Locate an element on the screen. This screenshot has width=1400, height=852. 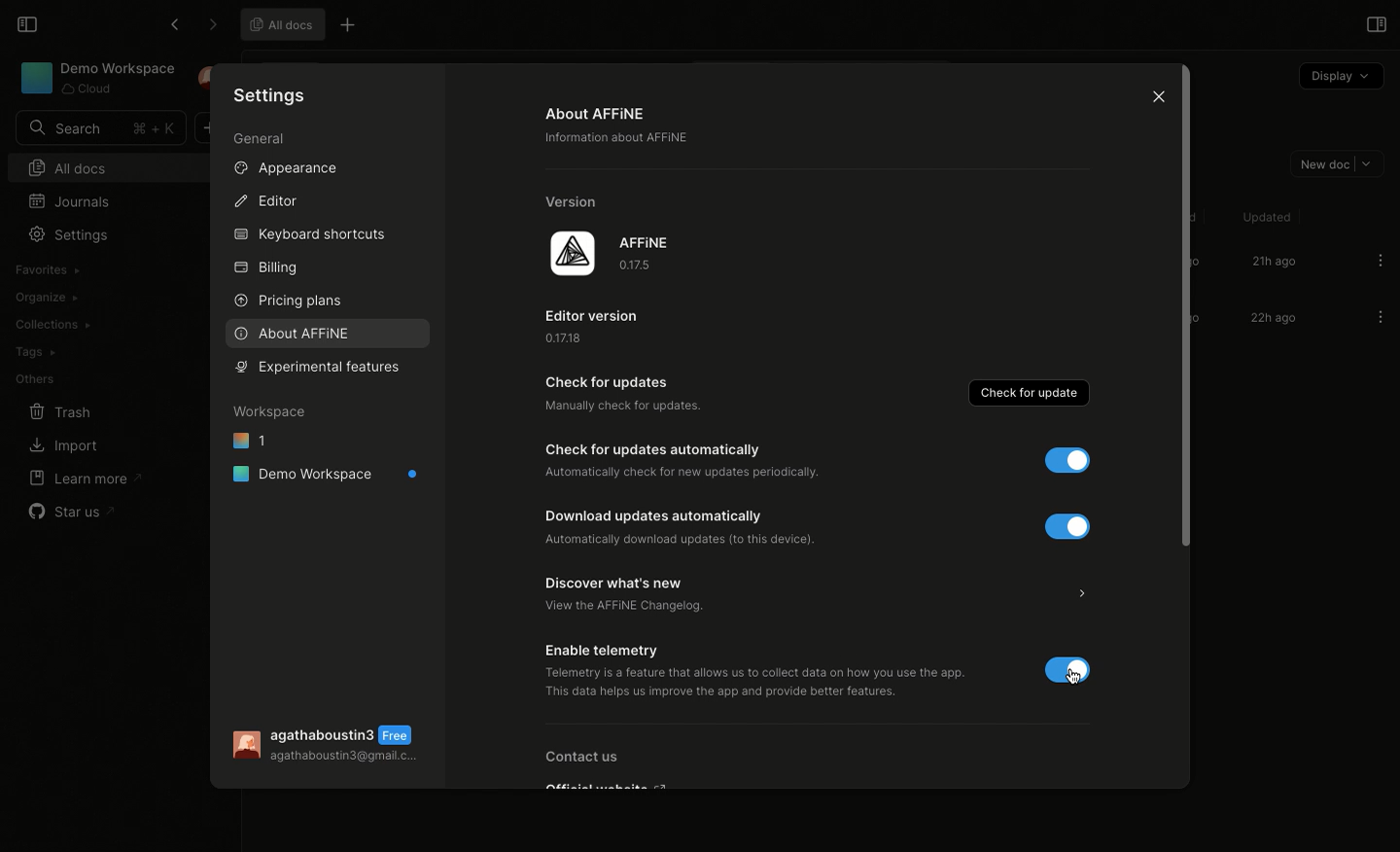
Star us is located at coordinates (74, 512).